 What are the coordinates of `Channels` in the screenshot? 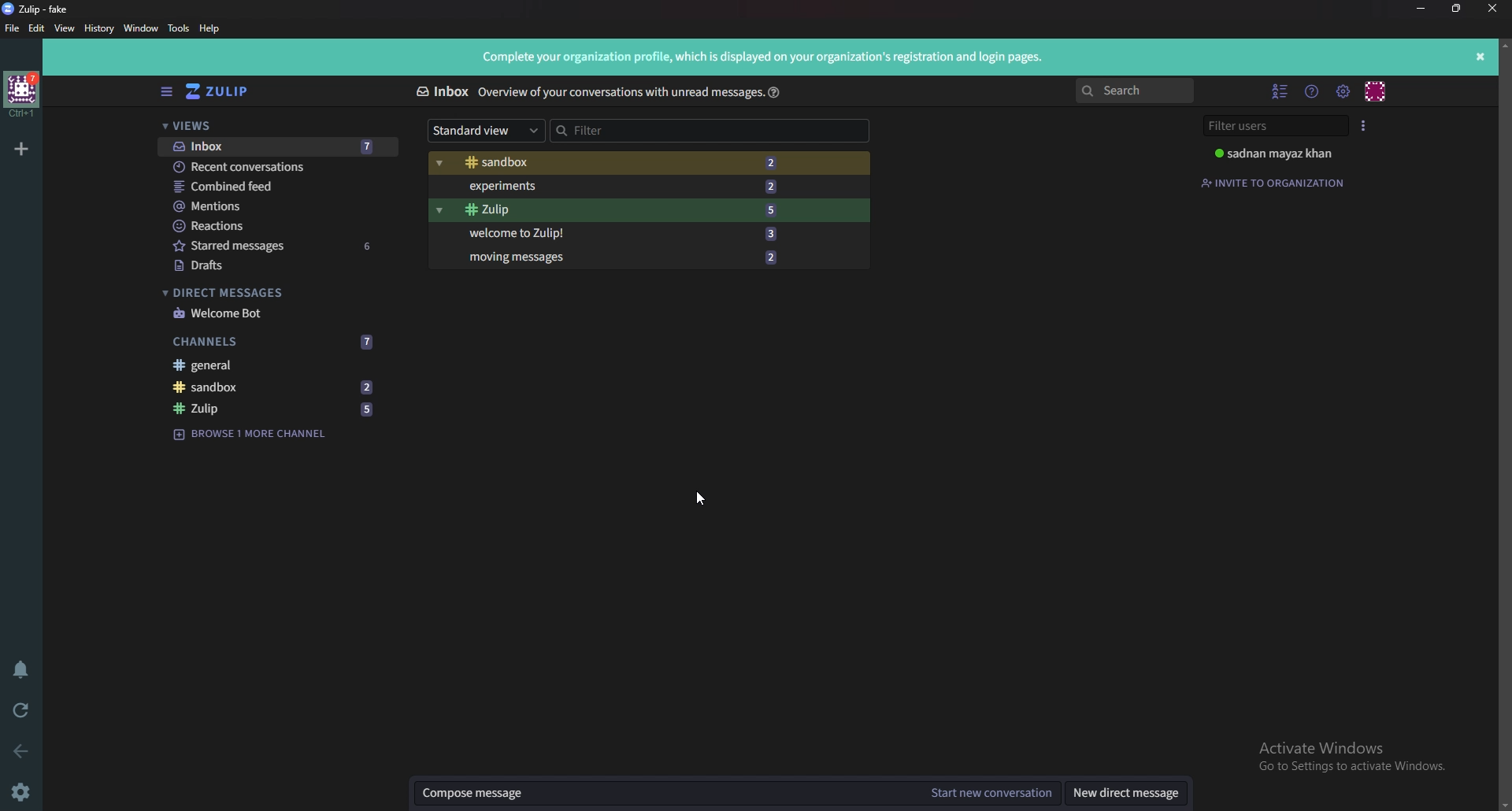 It's located at (274, 342).